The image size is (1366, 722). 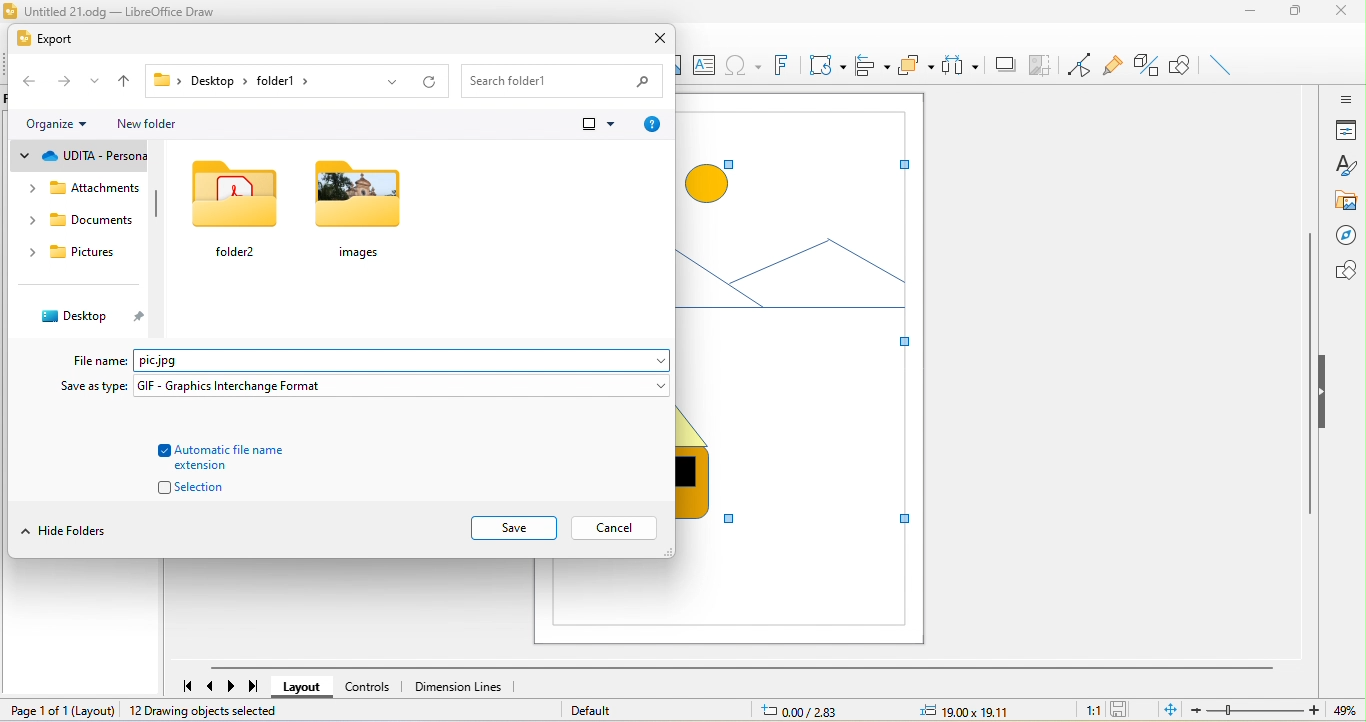 I want to click on Untitled 21.odg — LibreOffice Draw, so click(x=118, y=12).